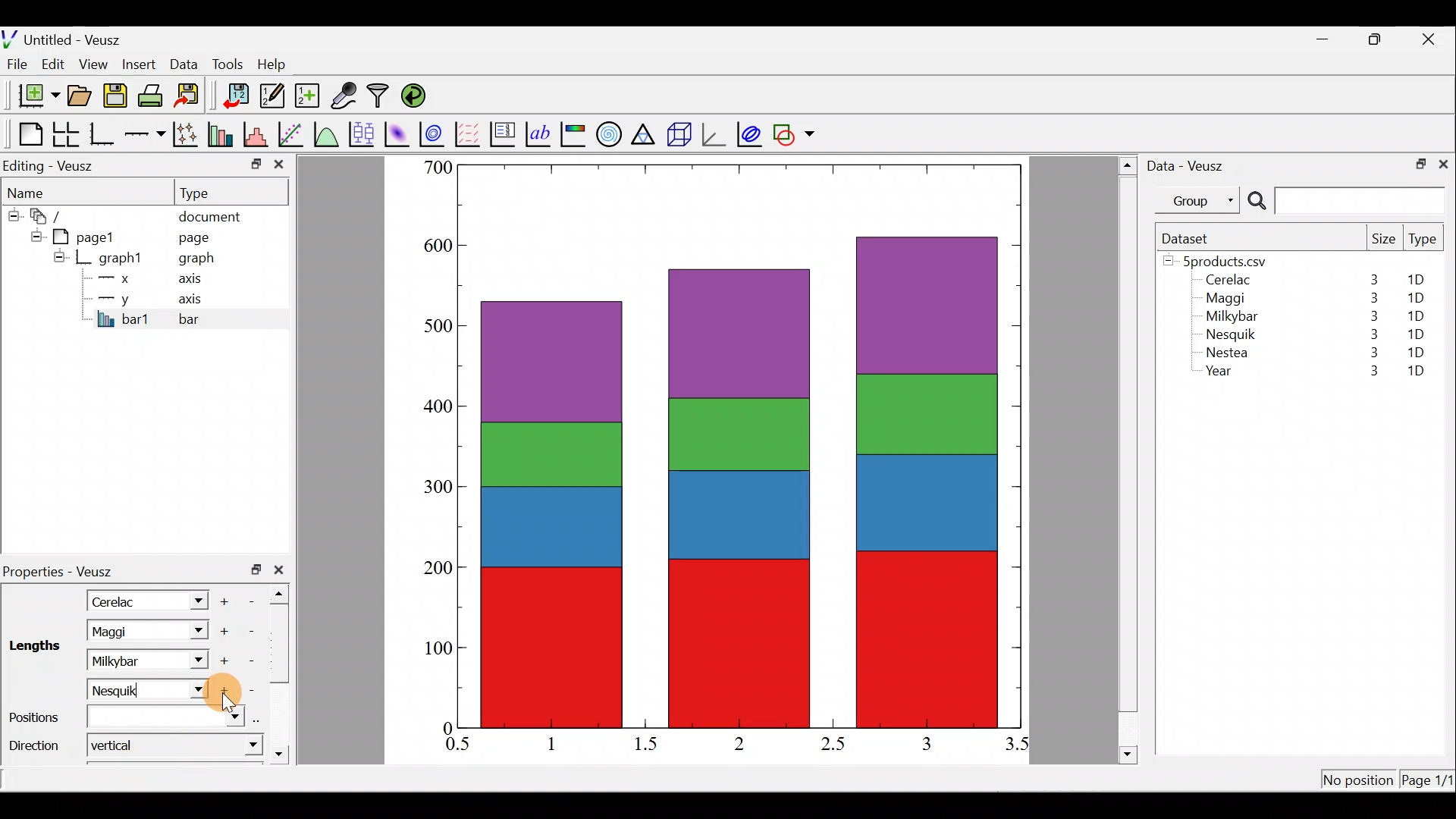  Describe the element at coordinates (1416, 352) in the screenshot. I see `1D` at that location.